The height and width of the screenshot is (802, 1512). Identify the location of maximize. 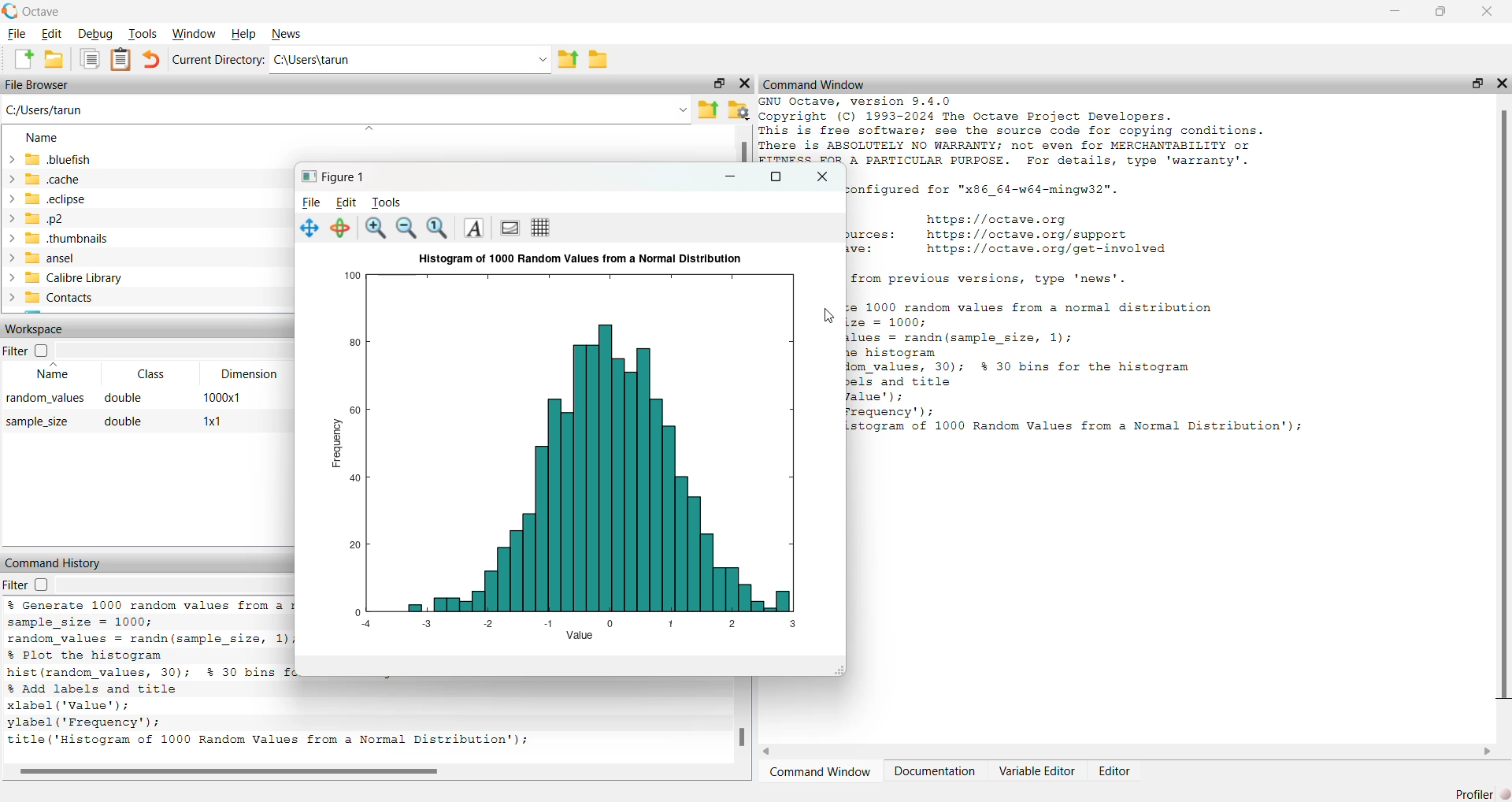
(1477, 83).